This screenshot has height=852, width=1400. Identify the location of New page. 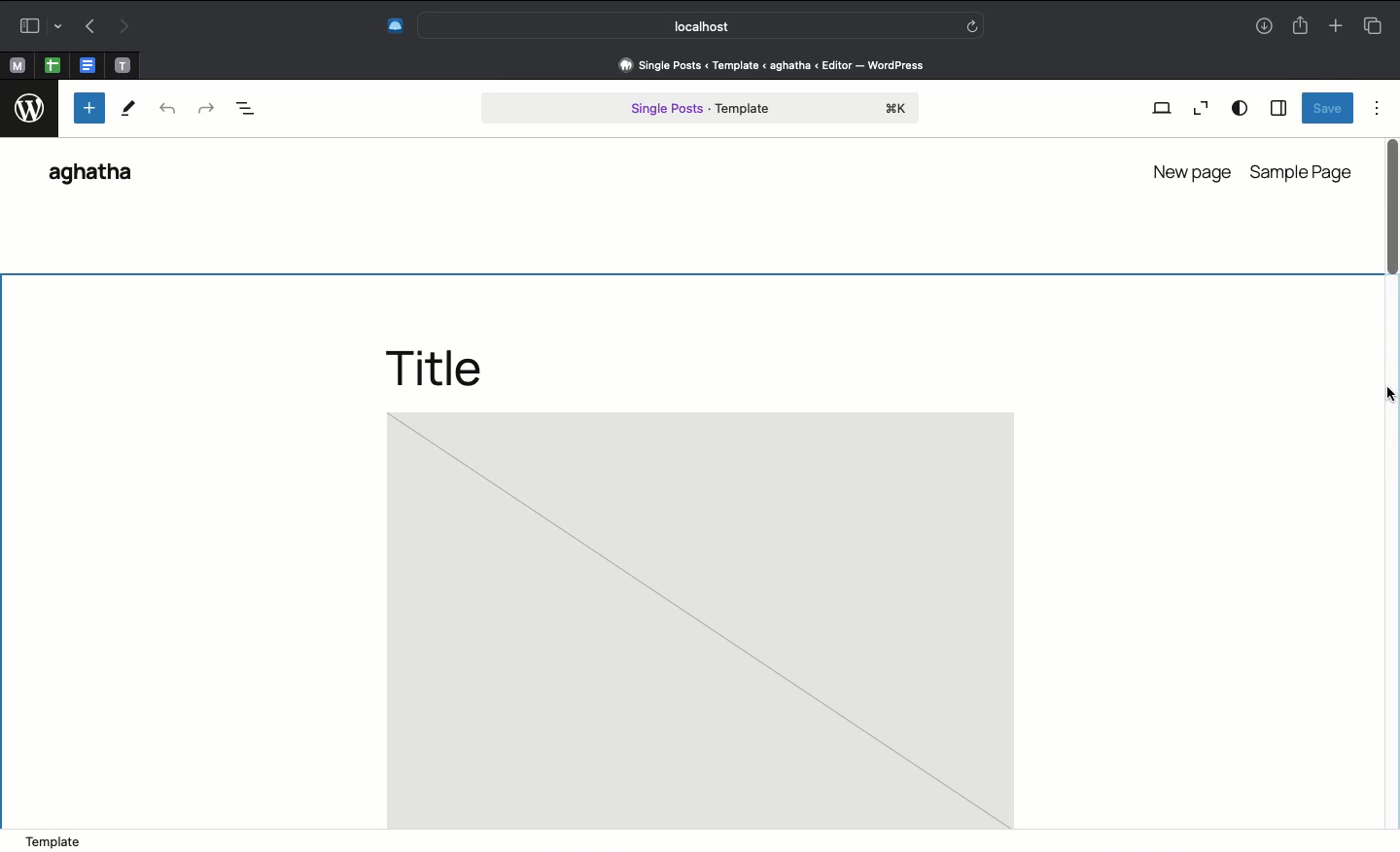
(1189, 170).